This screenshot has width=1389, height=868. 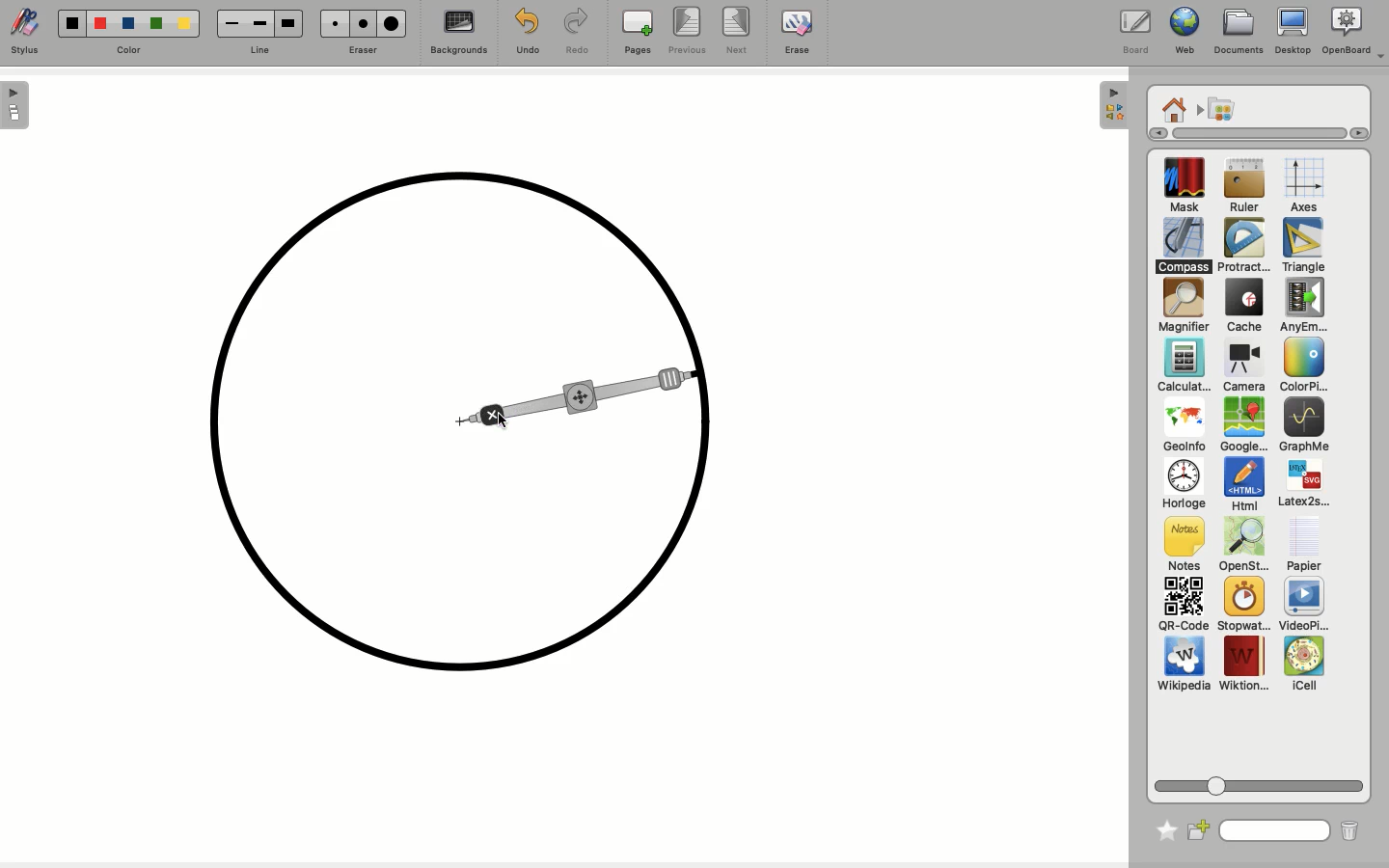 I want to click on Camera, so click(x=1242, y=366).